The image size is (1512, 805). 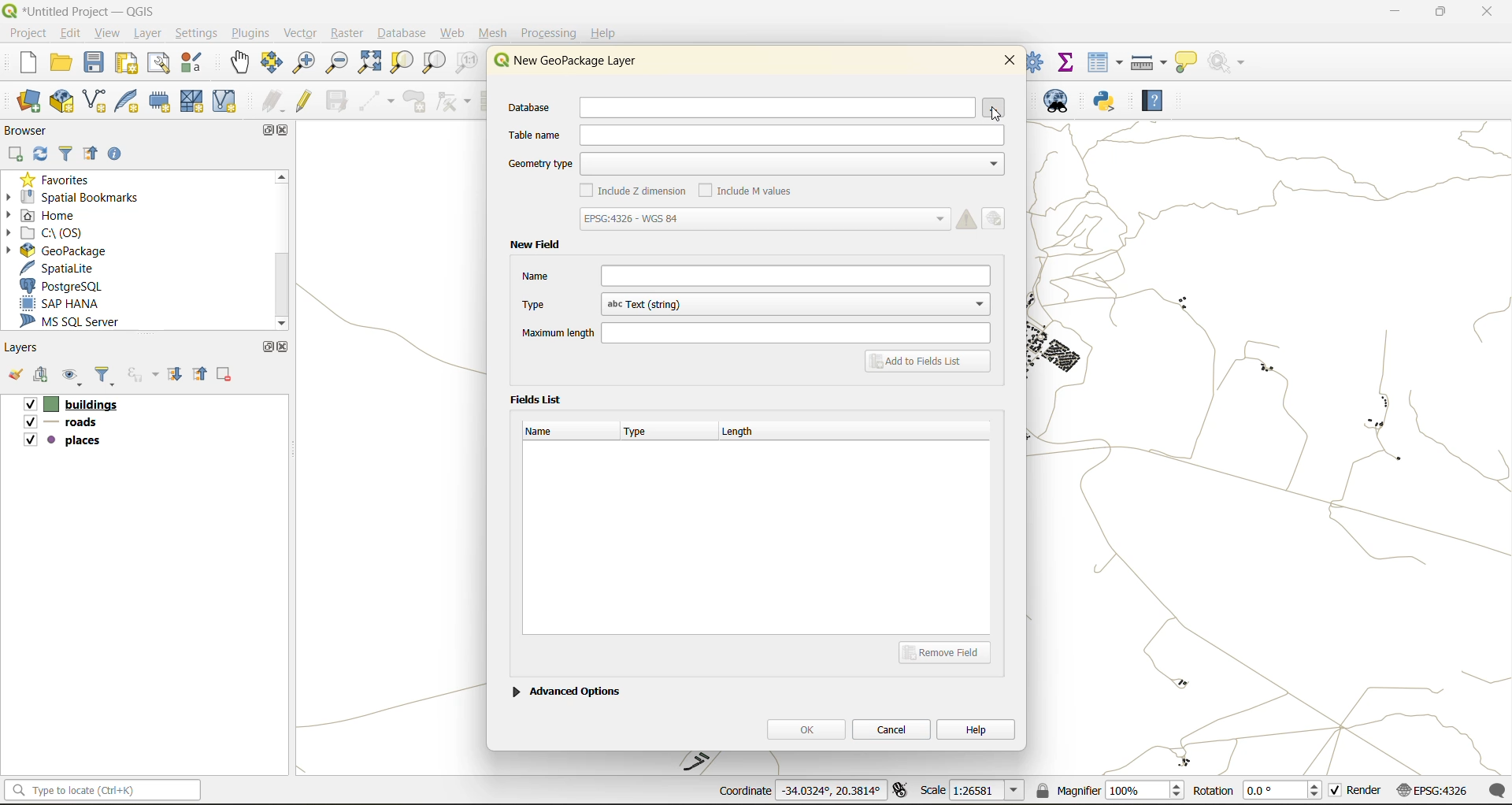 I want to click on browser, so click(x=31, y=130).